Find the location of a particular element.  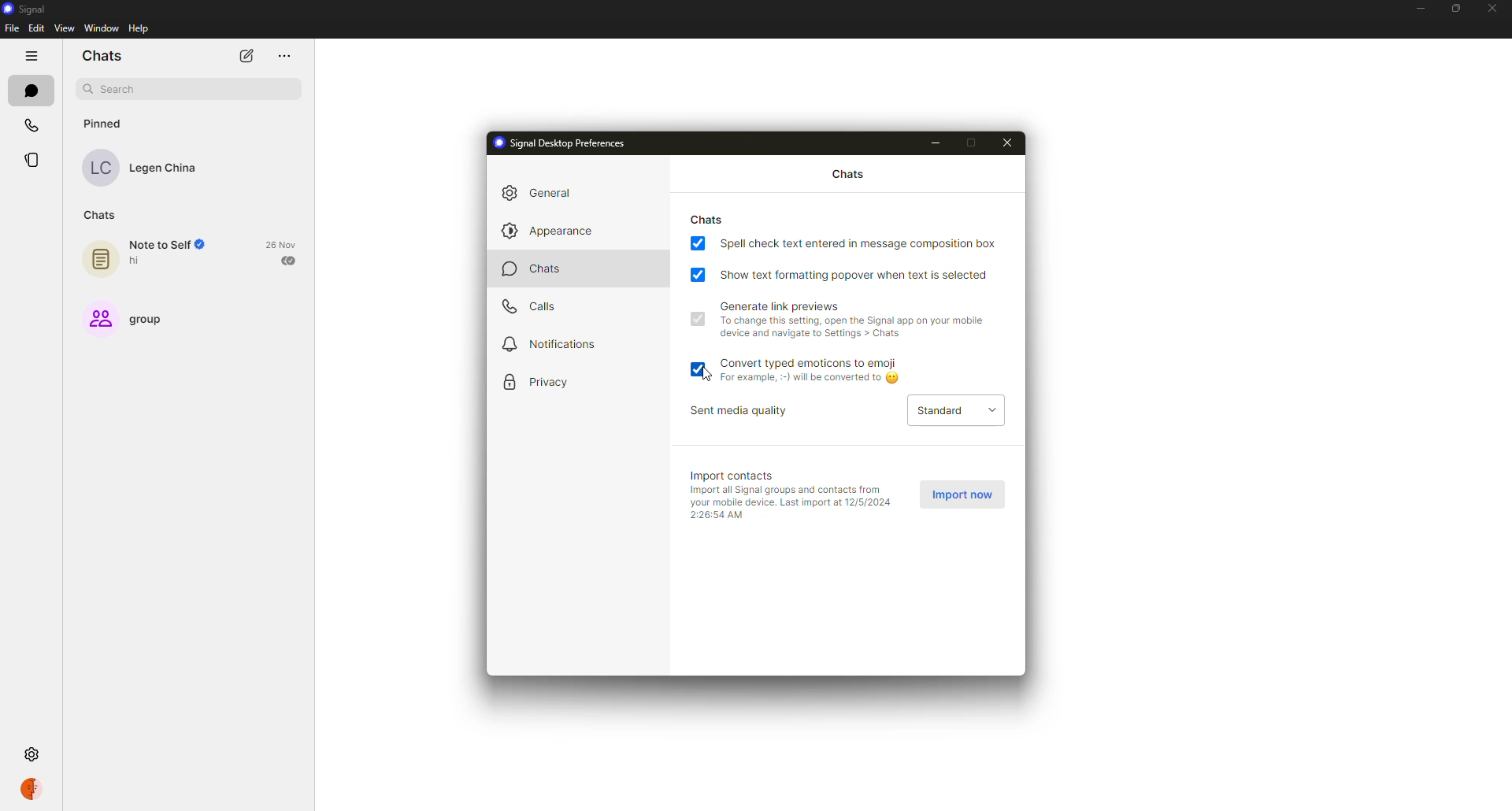

stories is located at coordinates (31, 161).